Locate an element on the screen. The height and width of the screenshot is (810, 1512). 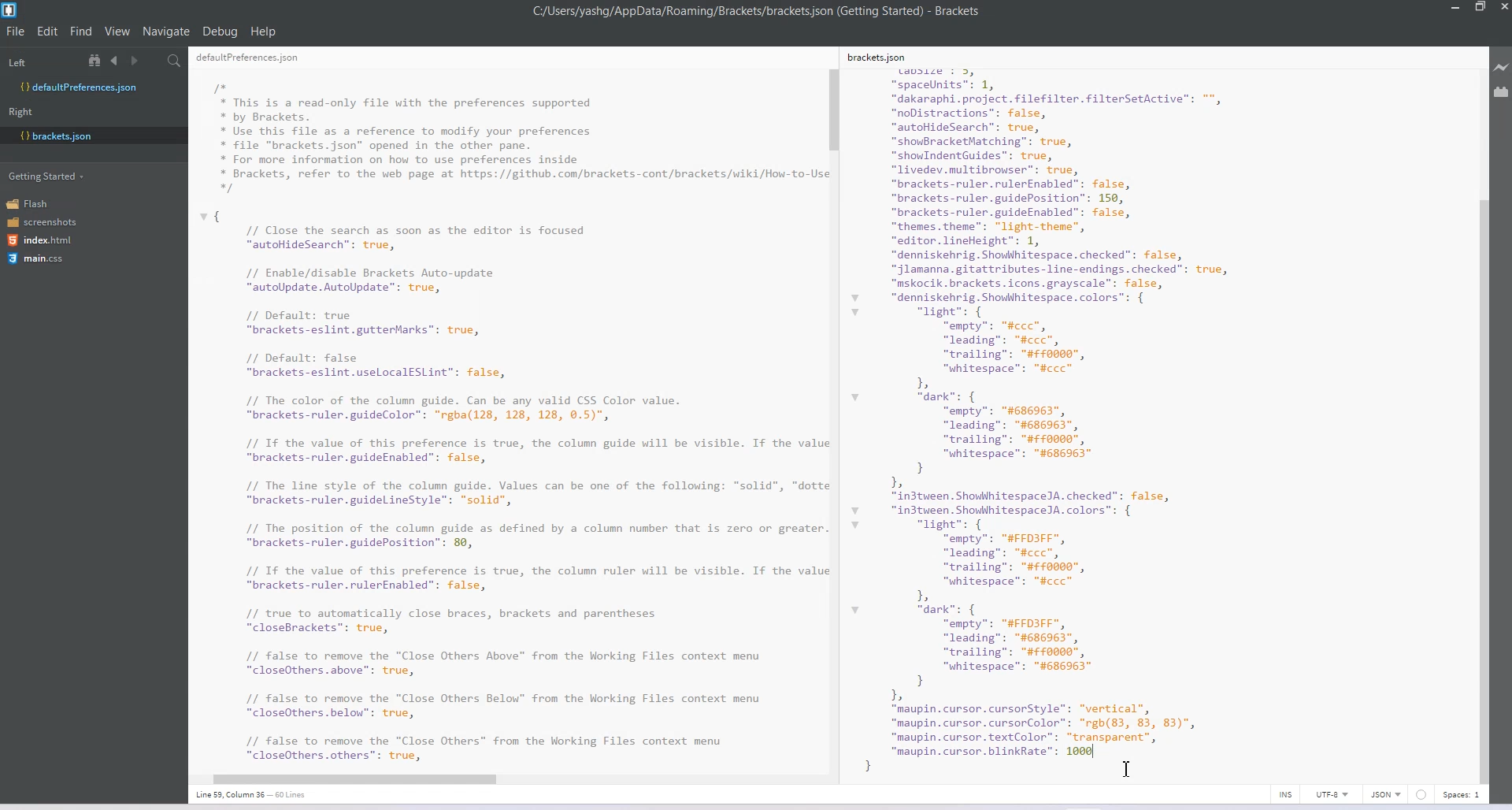
INS is located at coordinates (1285, 794).